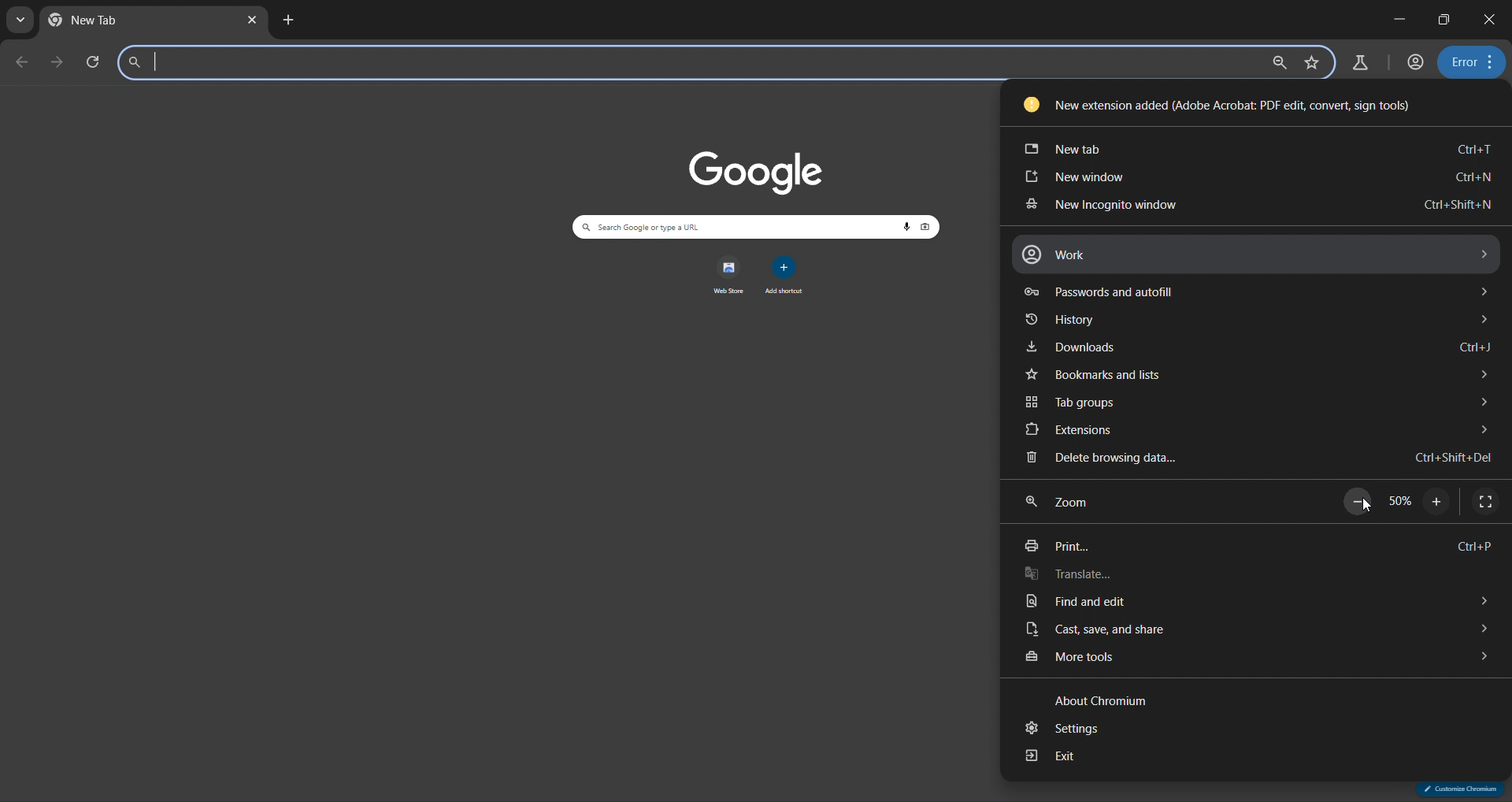 The image size is (1512, 802). Describe the element at coordinates (759, 171) in the screenshot. I see `image` at that location.